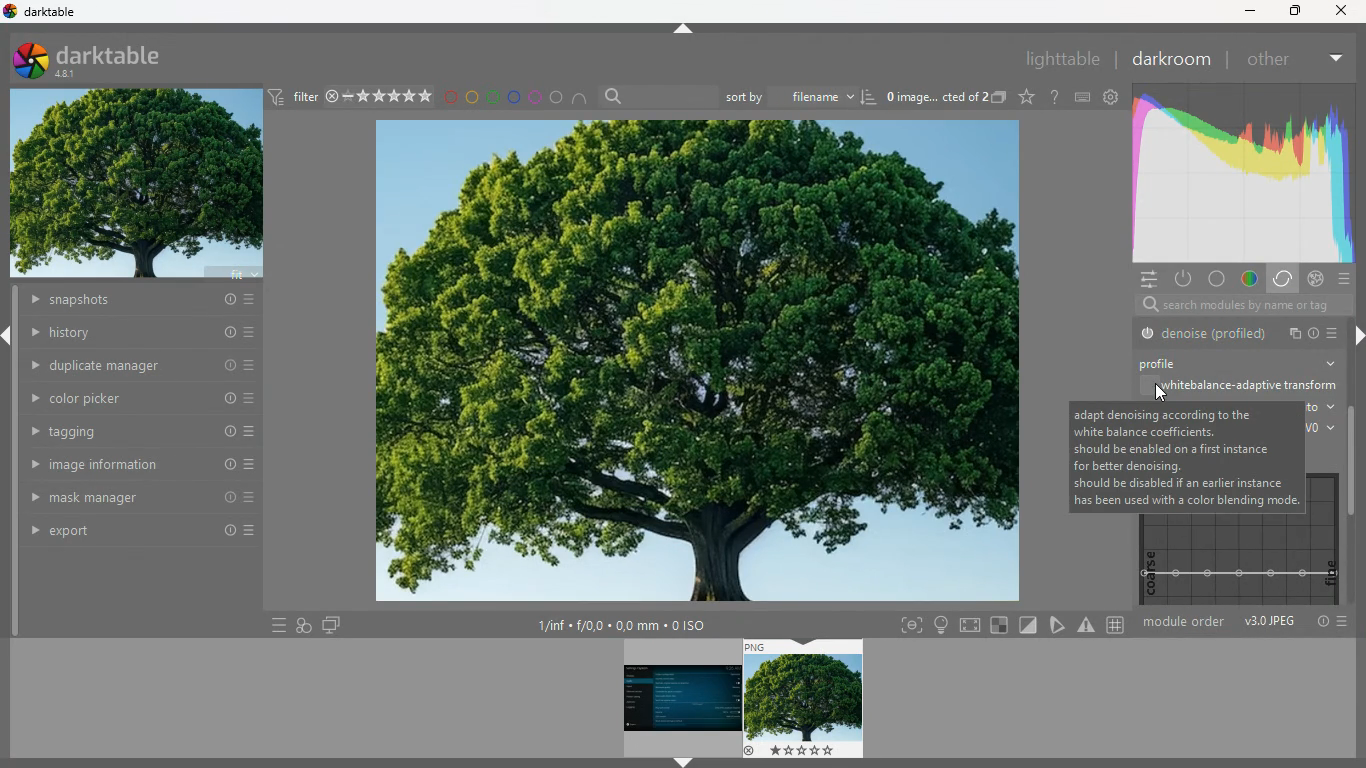 Image resolution: width=1366 pixels, height=768 pixels. What do you see at coordinates (1083, 97) in the screenshot?
I see `keyboard` at bounding box center [1083, 97].